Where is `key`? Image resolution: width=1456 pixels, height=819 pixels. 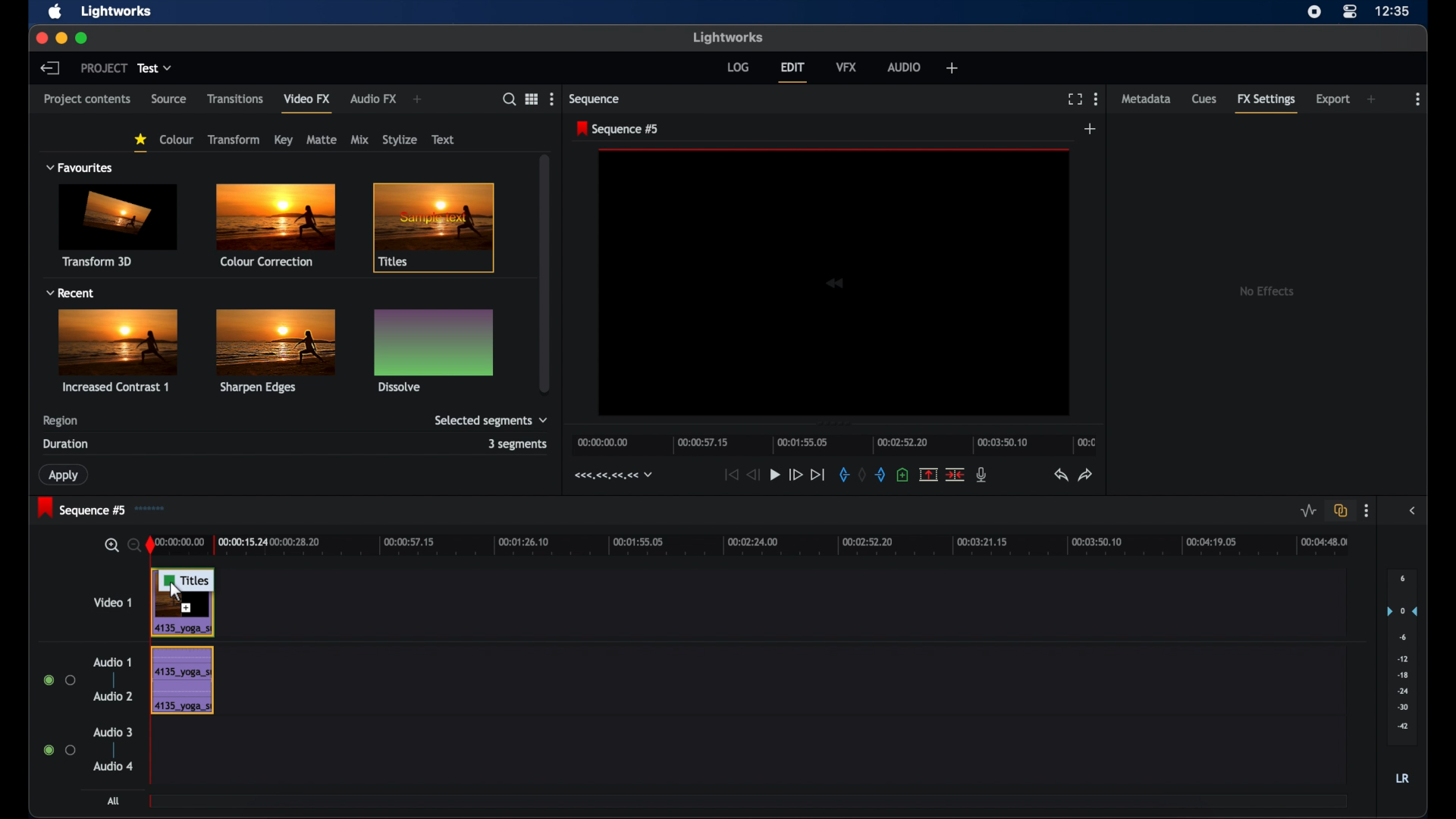 key is located at coordinates (284, 140).